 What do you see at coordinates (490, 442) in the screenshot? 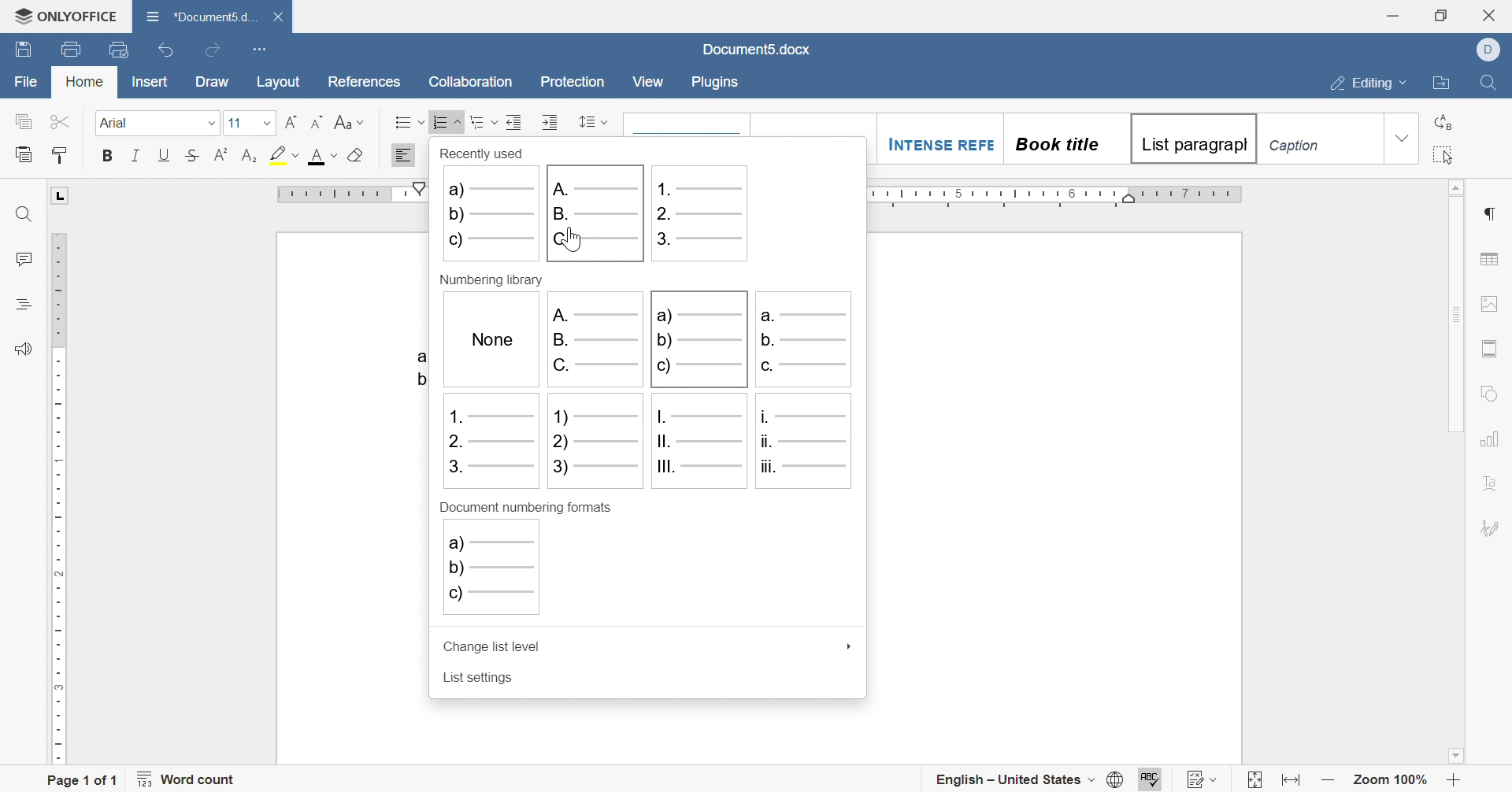
I see `number alignment` at bounding box center [490, 442].